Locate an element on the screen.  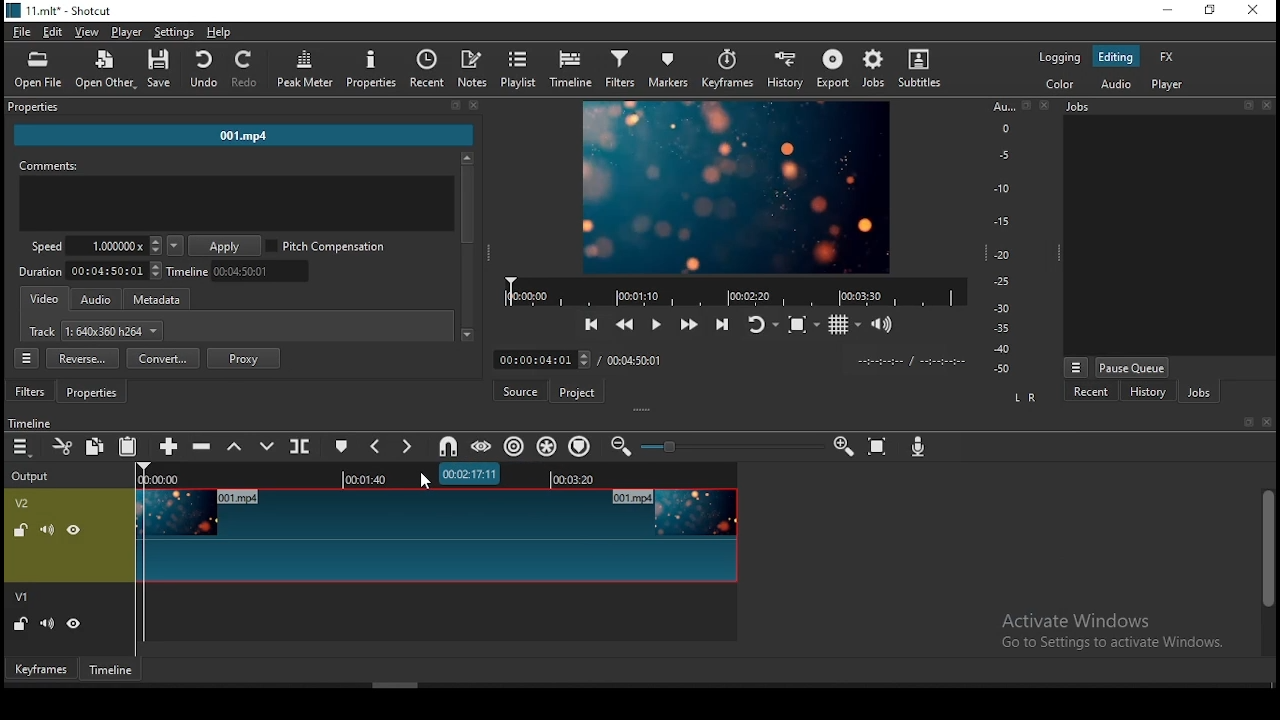
convert is located at coordinates (163, 358).